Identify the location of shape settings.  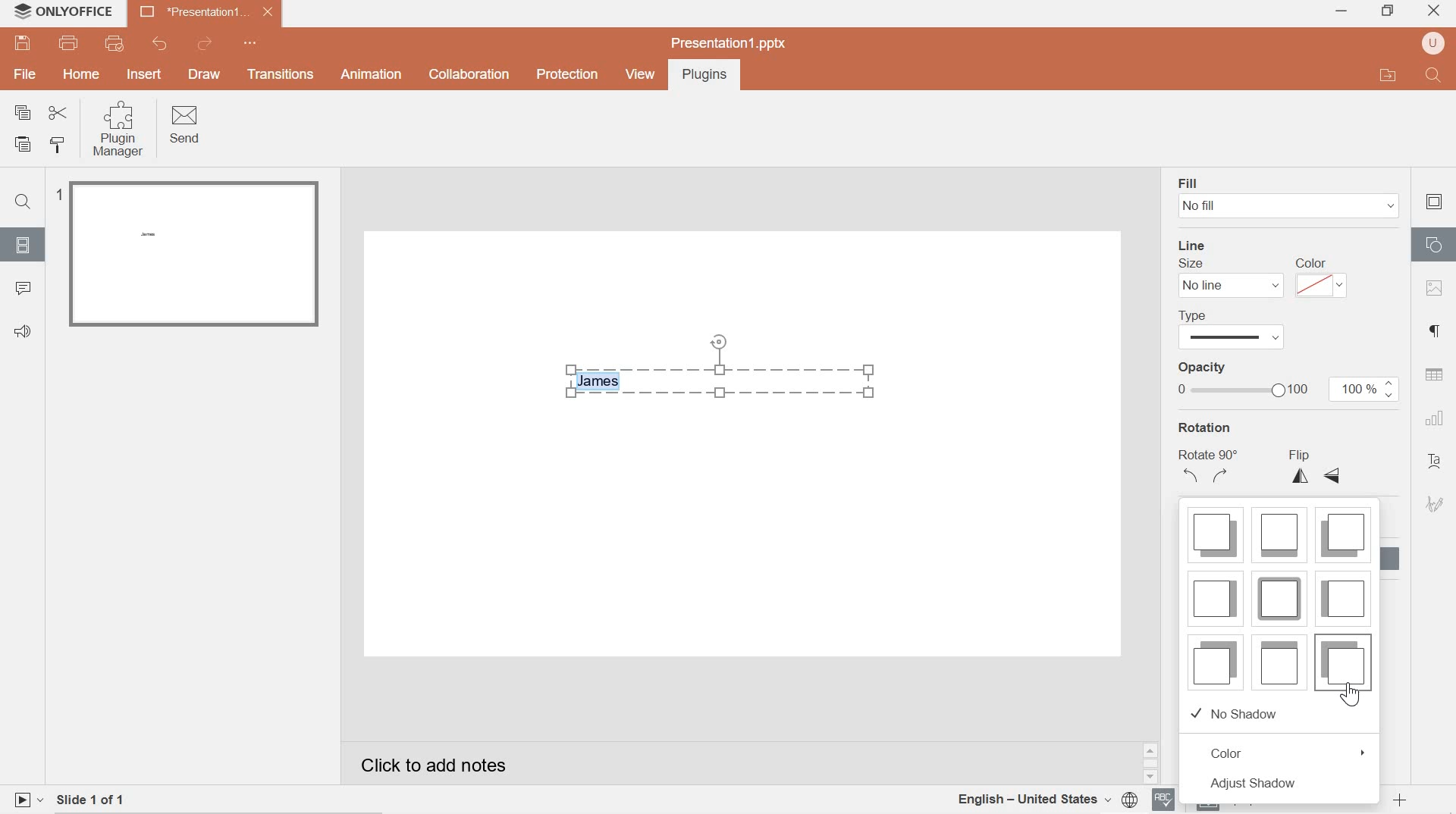
(1436, 244).